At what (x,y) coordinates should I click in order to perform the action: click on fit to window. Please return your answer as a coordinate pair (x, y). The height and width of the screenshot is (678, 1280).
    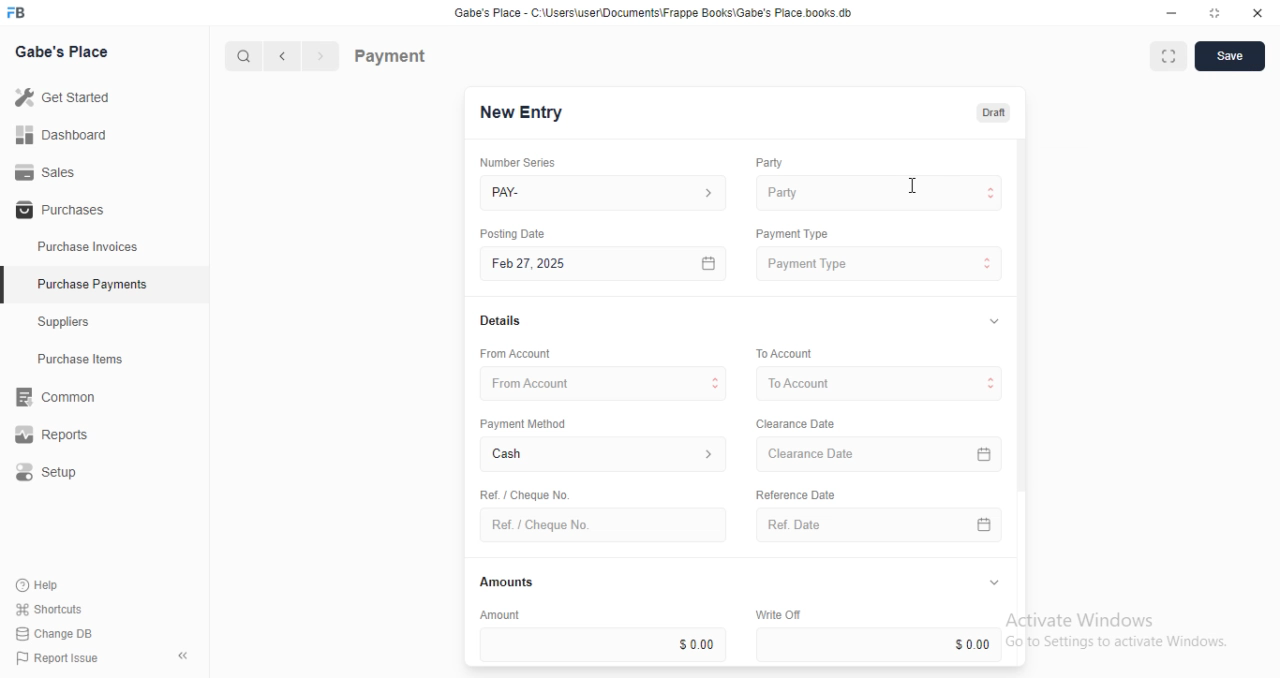
    Looking at the image, I should click on (1168, 58).